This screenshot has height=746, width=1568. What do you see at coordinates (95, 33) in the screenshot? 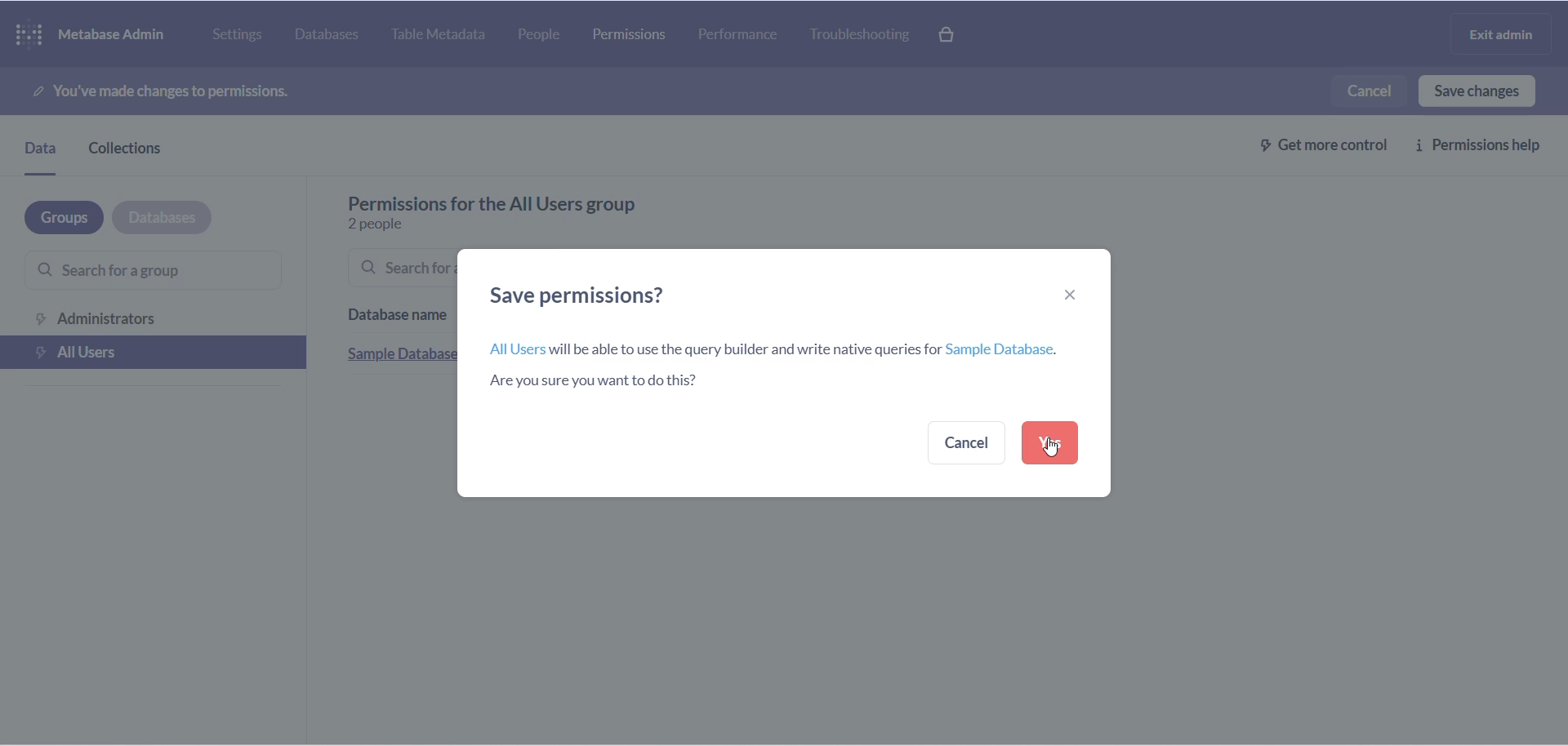
I see `logo and name` at bounding box center [95, 33].